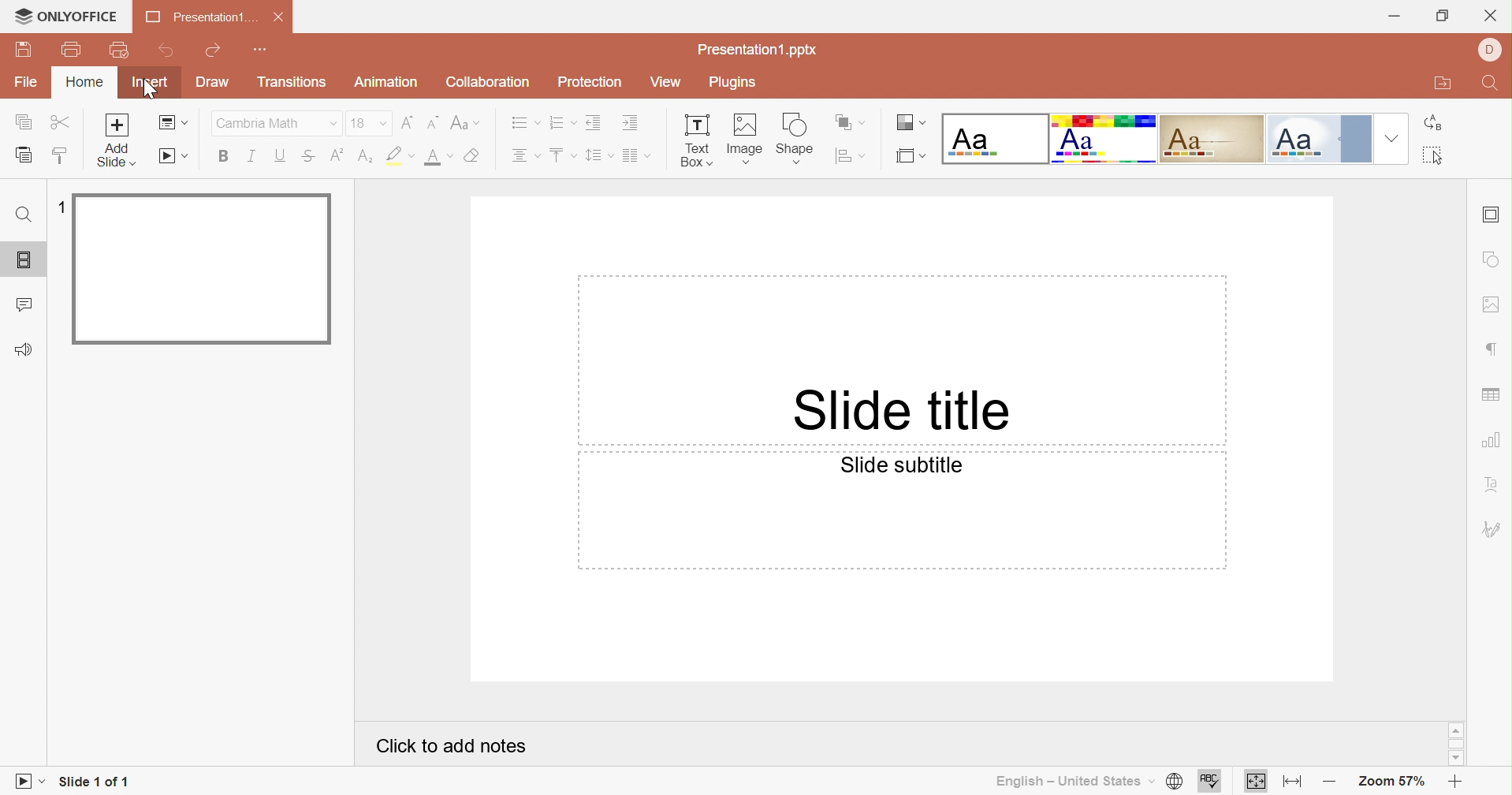 The height and width of the screenshot is (795, 1512). What do you see at coordinates (278, 18) in the screenshot?
I see `Close` at bounding box center [278, 18].